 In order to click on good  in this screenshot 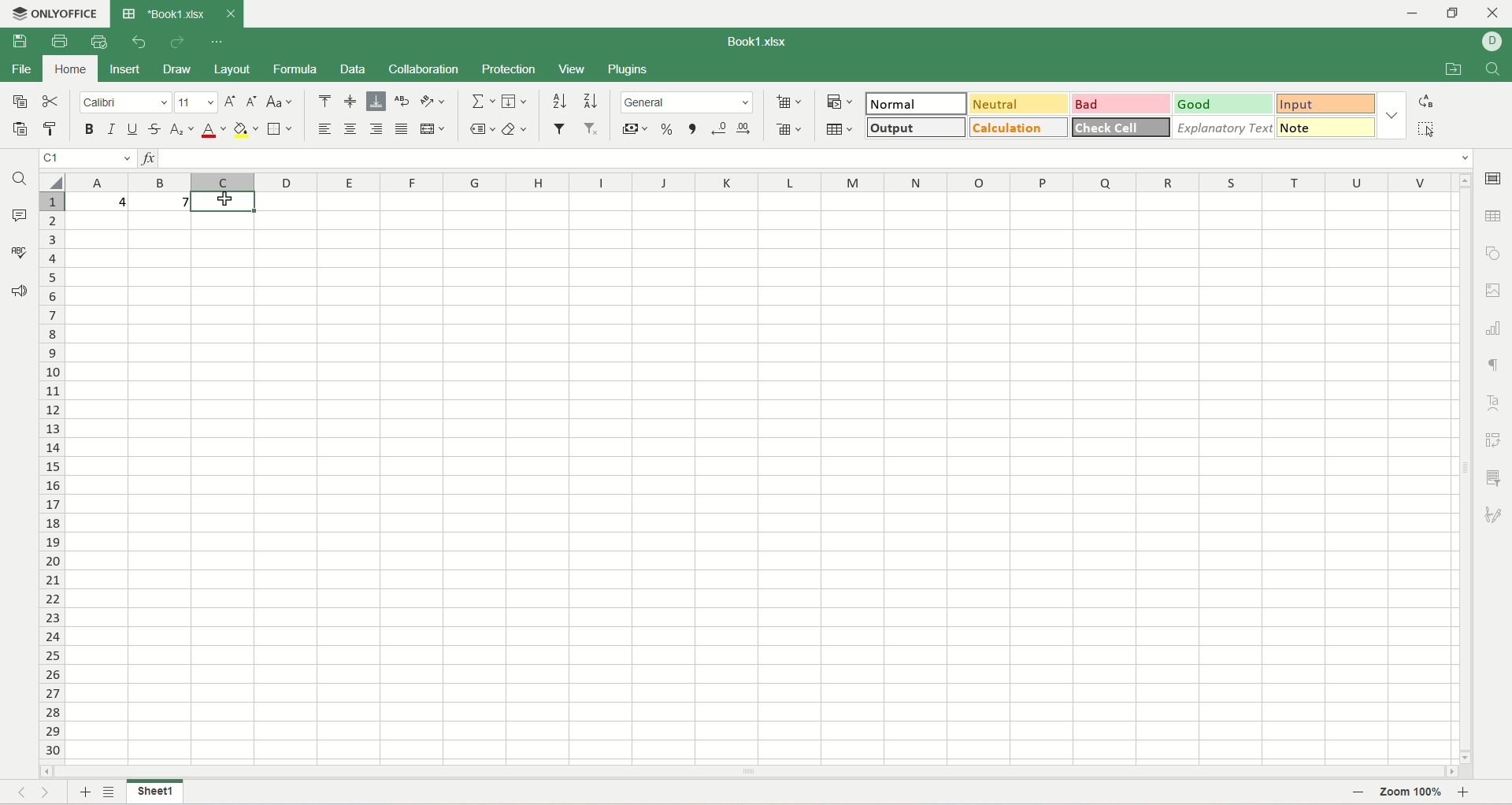, I will do `click(1225, 104)`.